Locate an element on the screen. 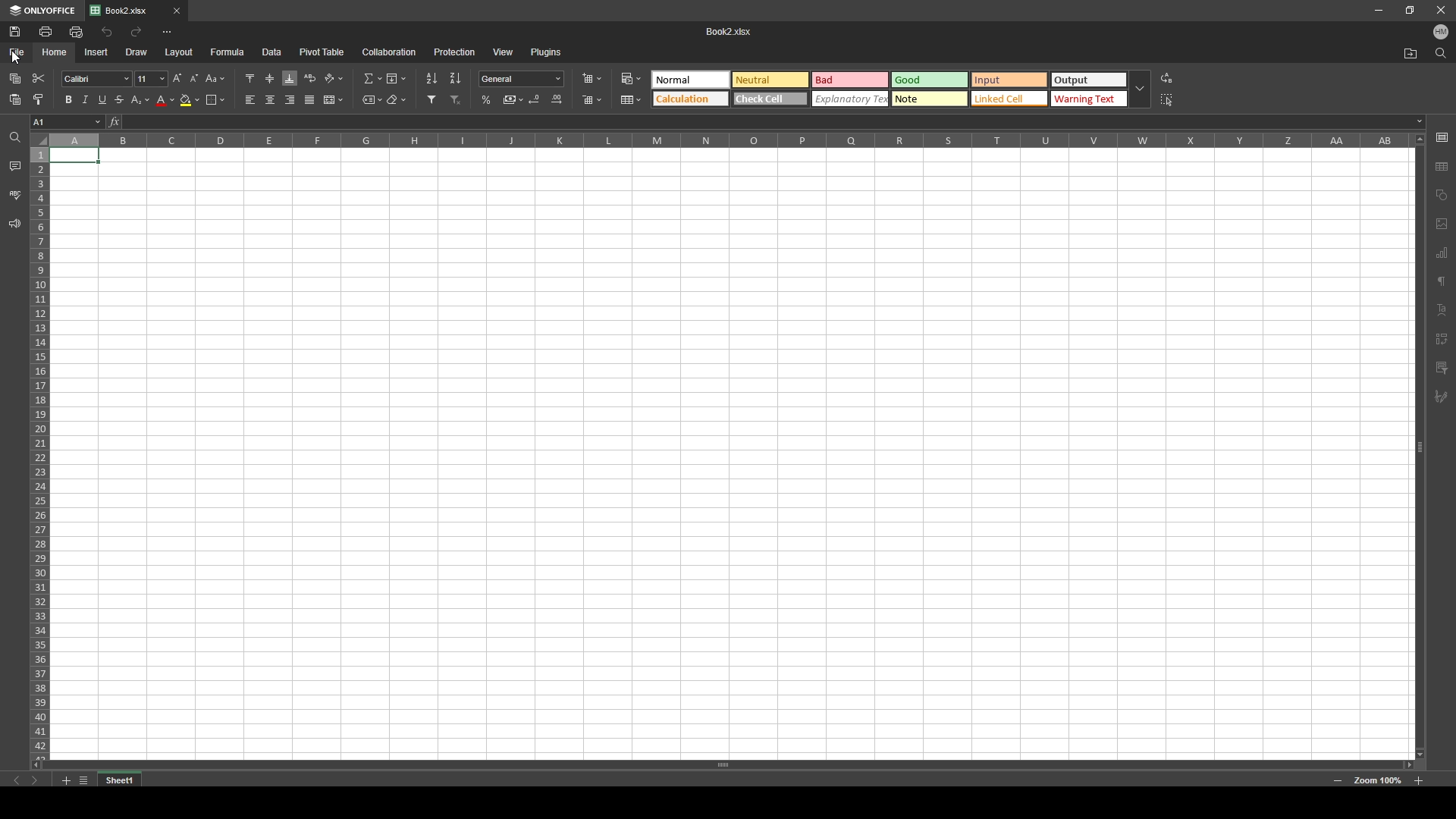  spreadsheet is located at coordinates (730, 452).